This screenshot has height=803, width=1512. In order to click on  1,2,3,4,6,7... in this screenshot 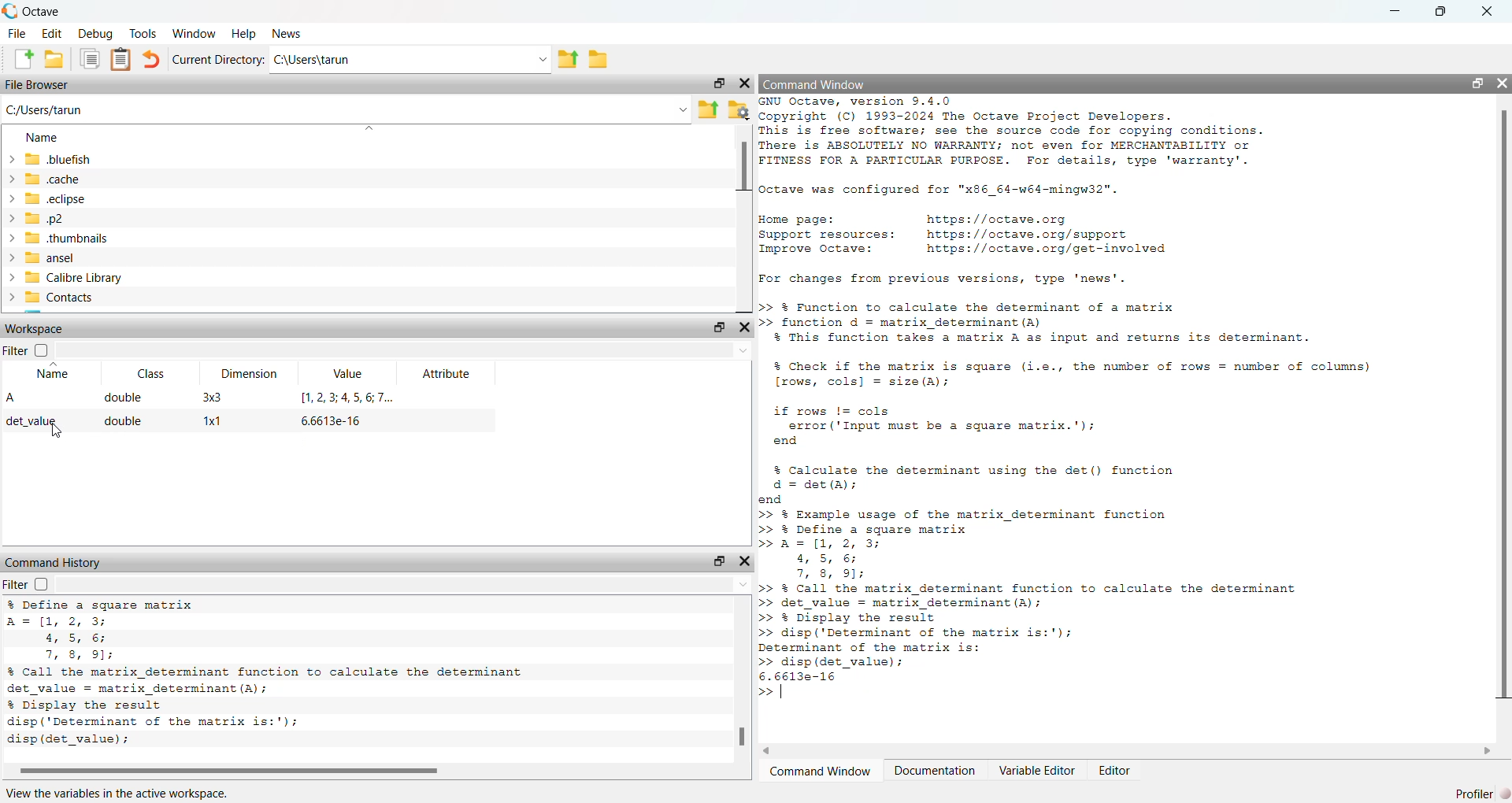, I will do `click(343, 398)`.